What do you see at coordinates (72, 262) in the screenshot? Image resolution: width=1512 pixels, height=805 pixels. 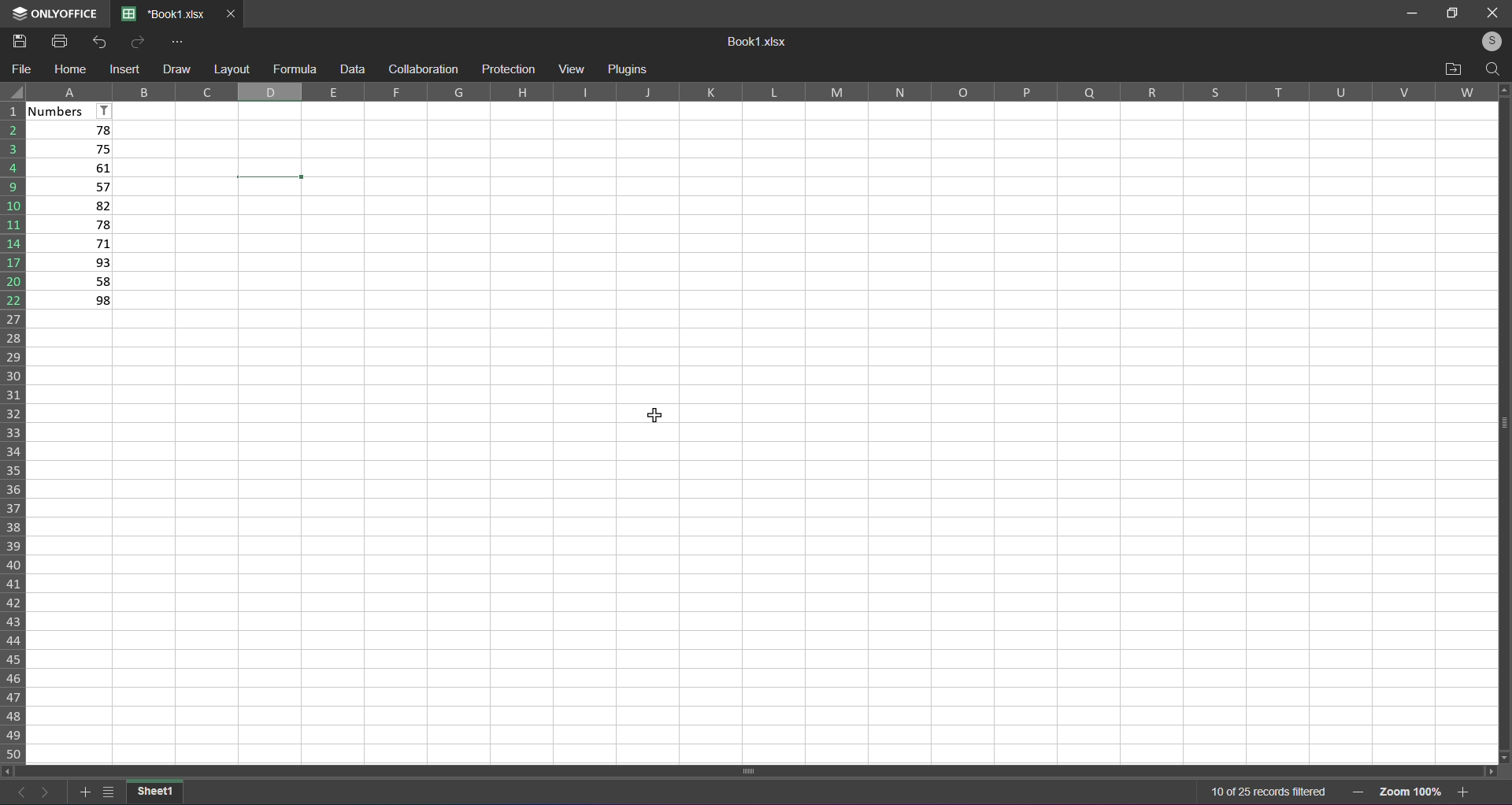 I see `93` at bounding box center [72, 262].